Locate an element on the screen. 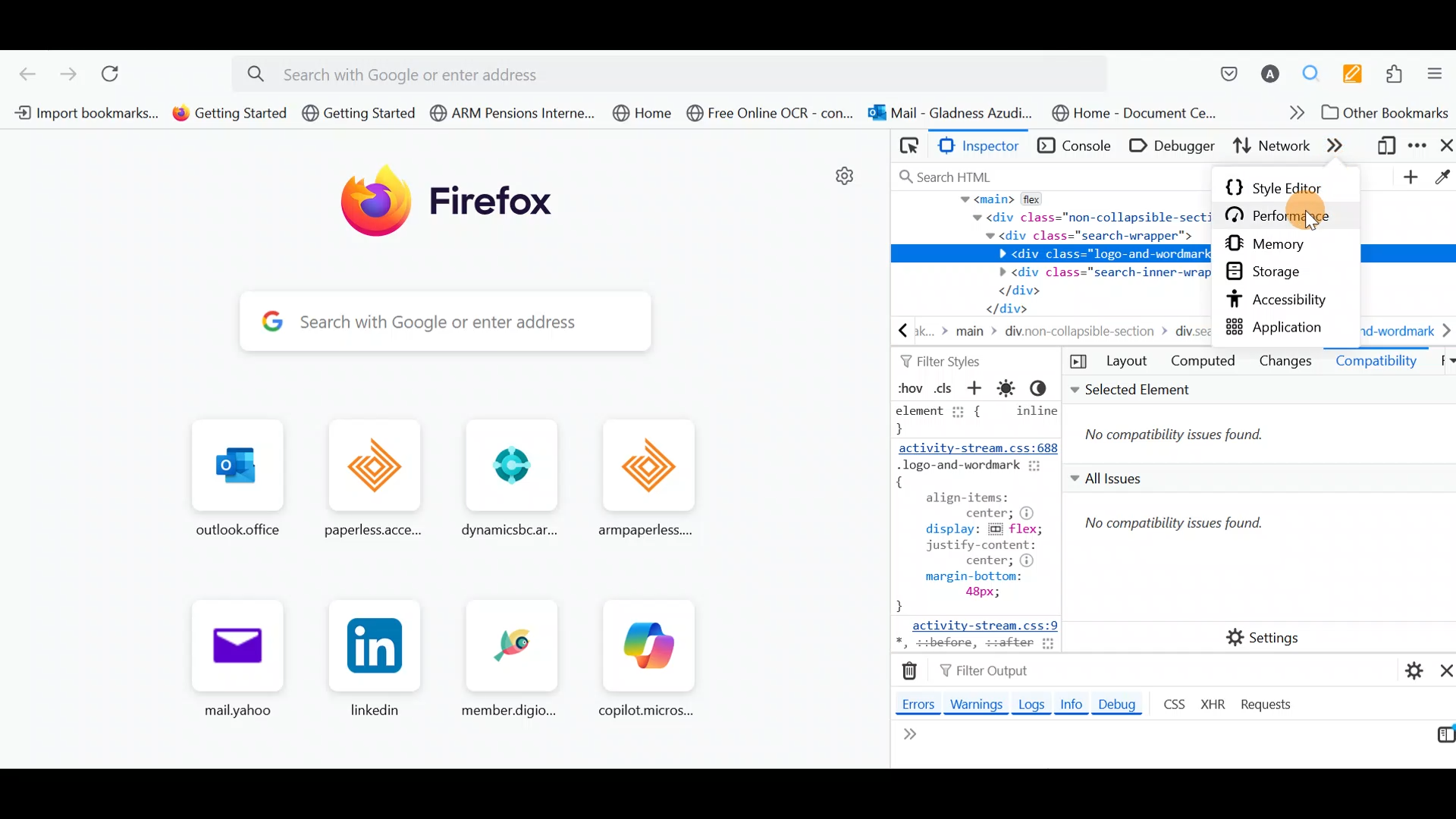  Storage is located at coordinates (1276, 272).